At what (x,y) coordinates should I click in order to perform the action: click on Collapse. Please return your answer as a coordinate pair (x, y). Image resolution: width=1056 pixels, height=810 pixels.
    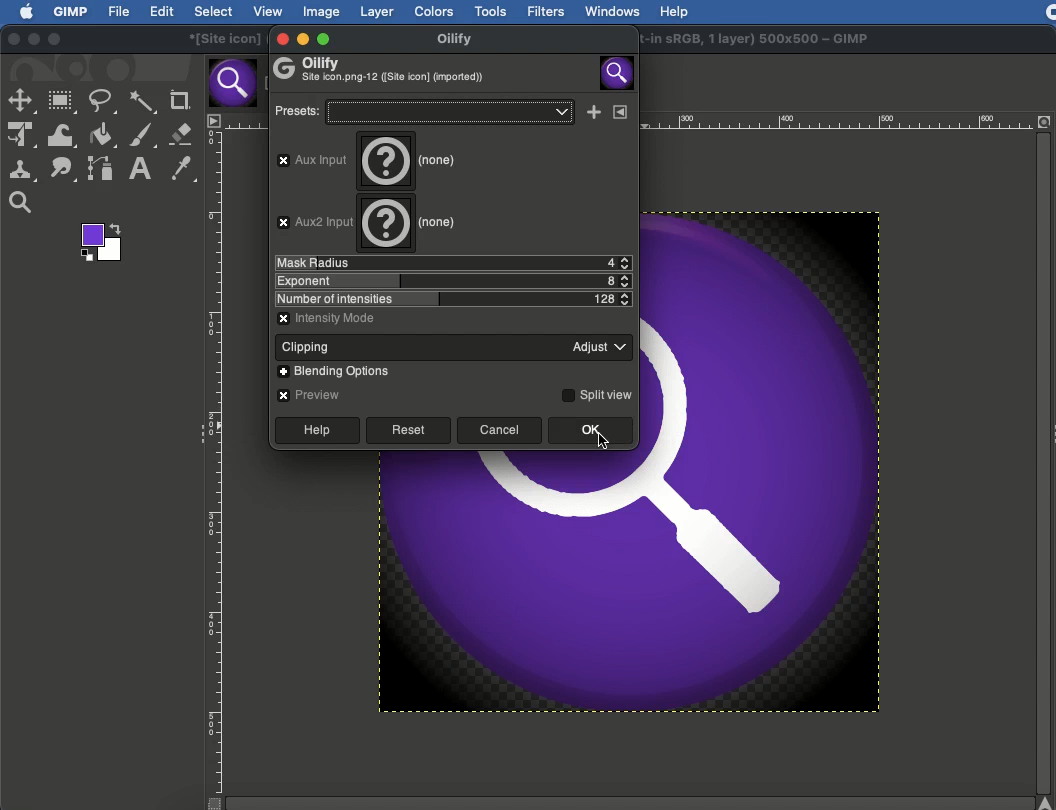
    Looking at the image, I should click on (199, 430).